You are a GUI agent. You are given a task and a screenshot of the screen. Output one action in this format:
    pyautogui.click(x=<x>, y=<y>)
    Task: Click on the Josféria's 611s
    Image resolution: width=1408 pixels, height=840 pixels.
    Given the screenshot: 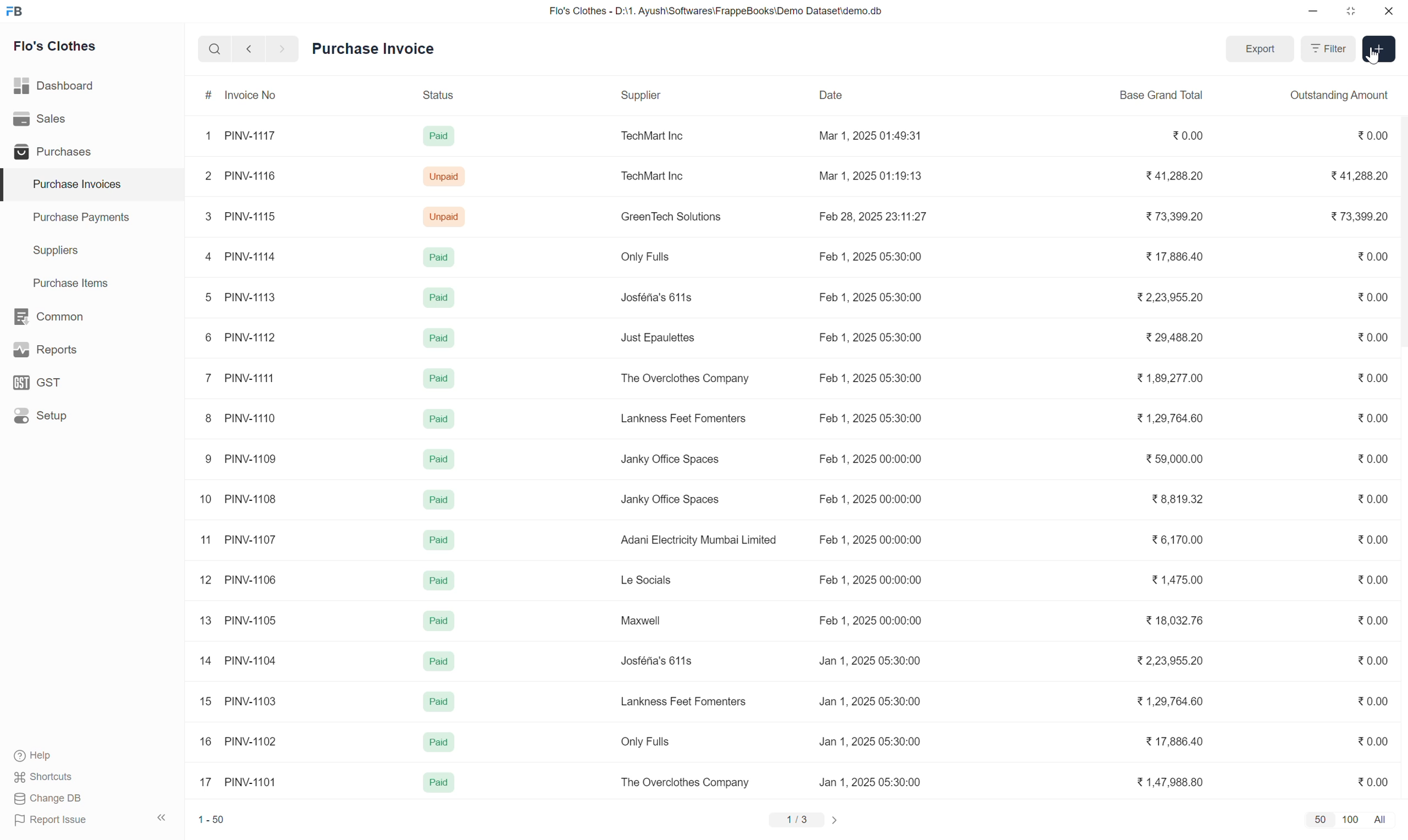 What is the action you would take?
    pyautogui.click(x=658, y=661)
    